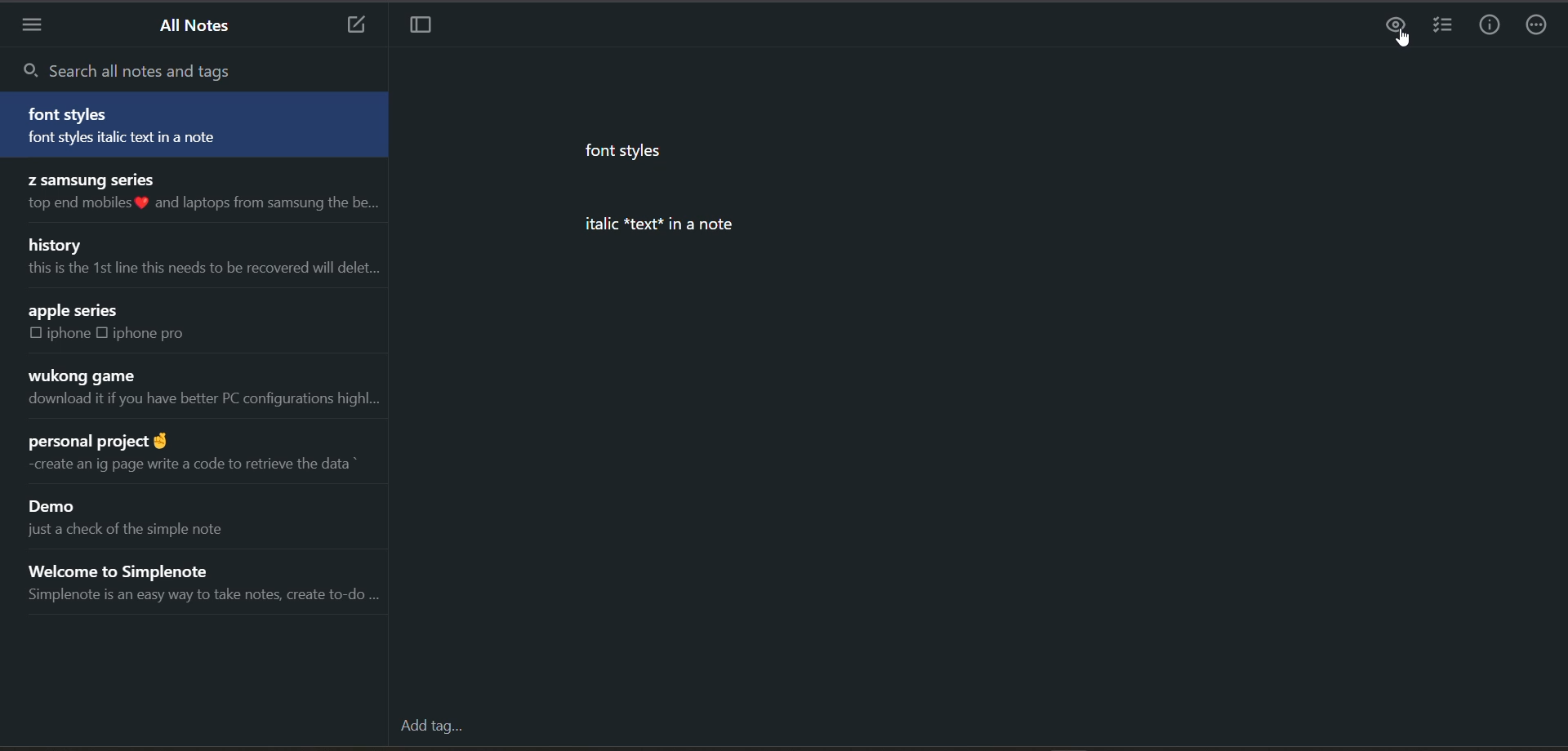  Describe the element at coordinates (201, 195) in the screenshot. I see `note title and preview` at that location.